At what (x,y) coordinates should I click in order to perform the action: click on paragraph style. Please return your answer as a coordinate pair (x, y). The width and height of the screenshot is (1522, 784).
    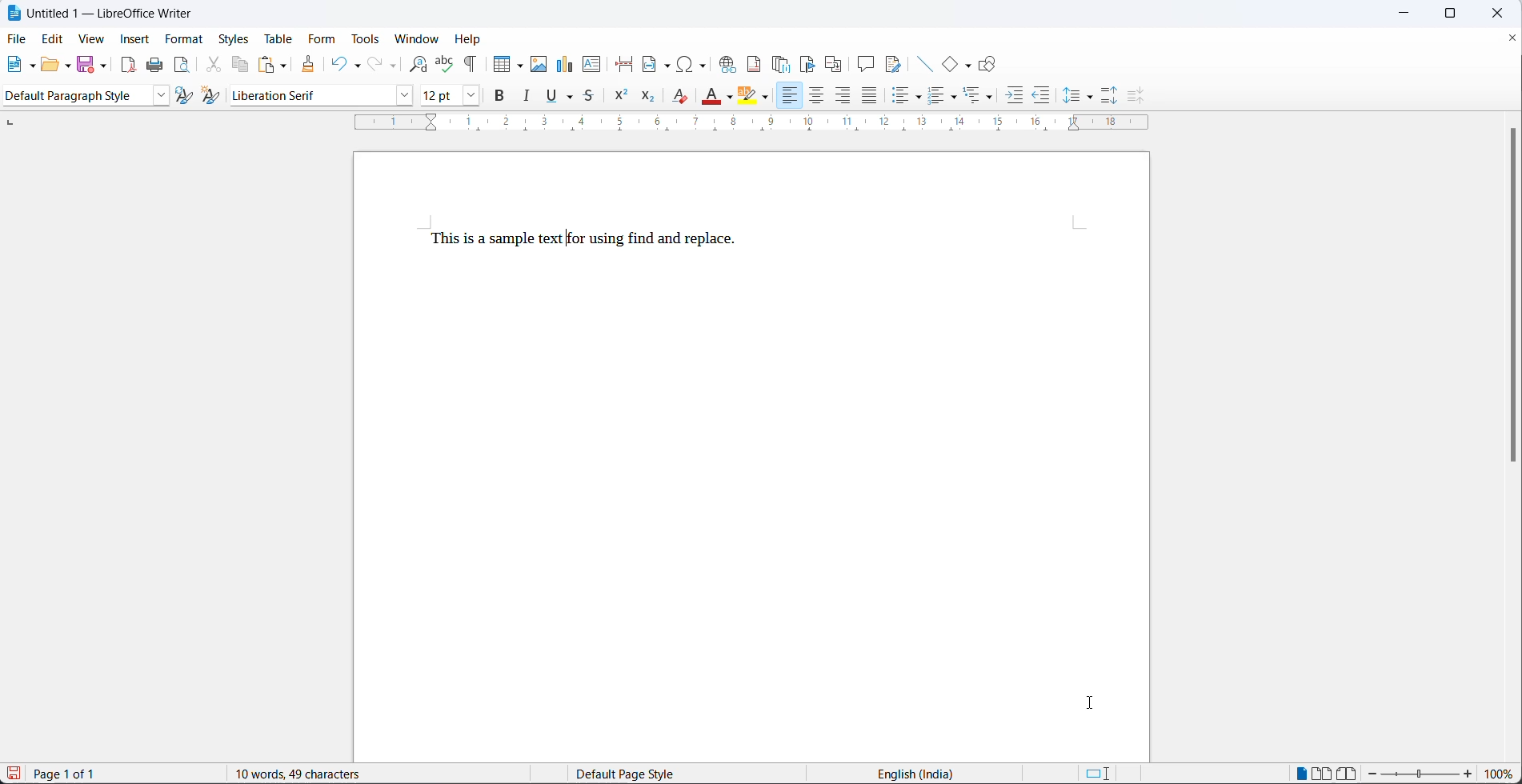
    Looking at the image, I should click on (73, 96).